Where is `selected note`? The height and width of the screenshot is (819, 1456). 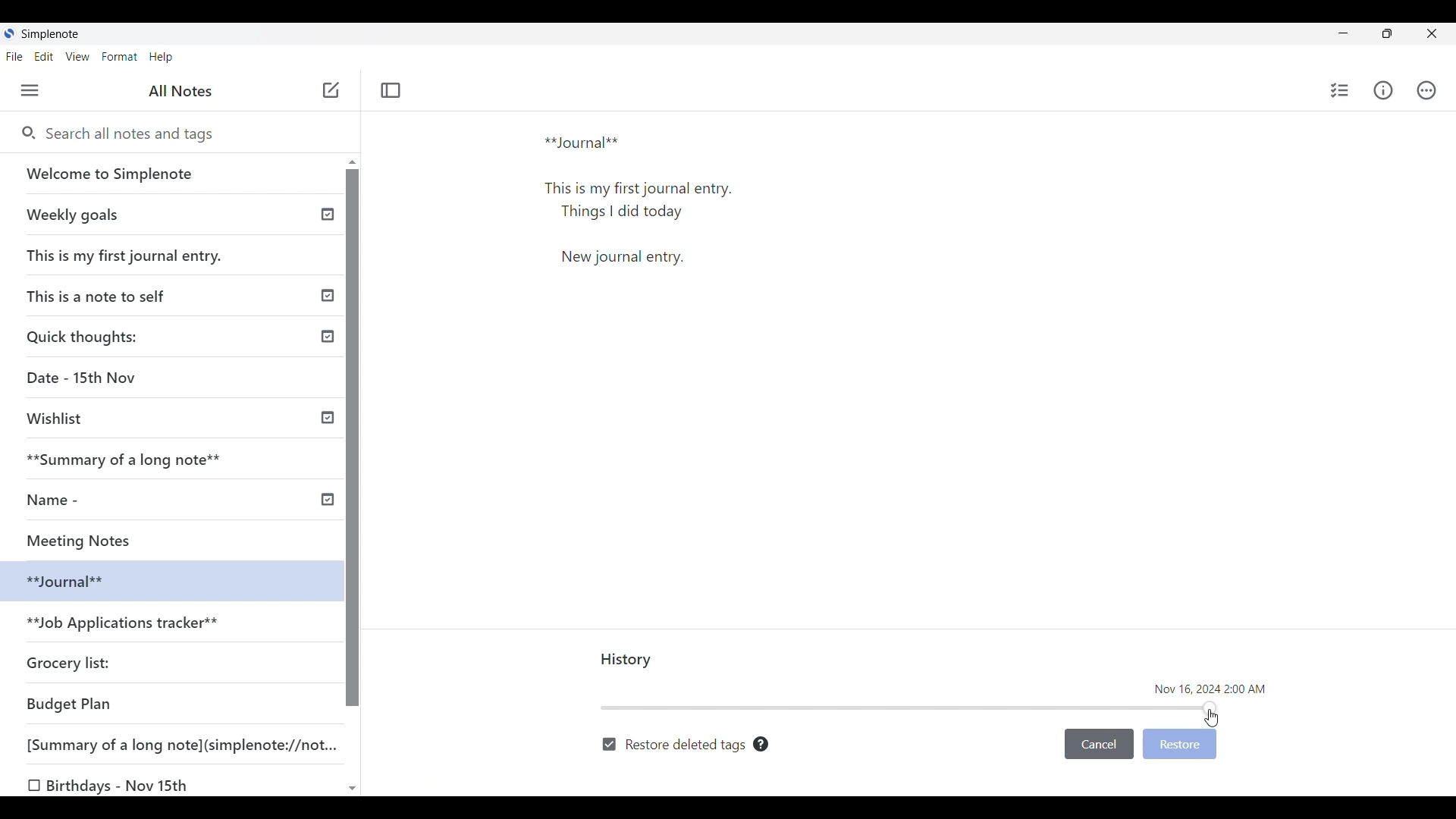
selected note is located at coordinates (167, 579).